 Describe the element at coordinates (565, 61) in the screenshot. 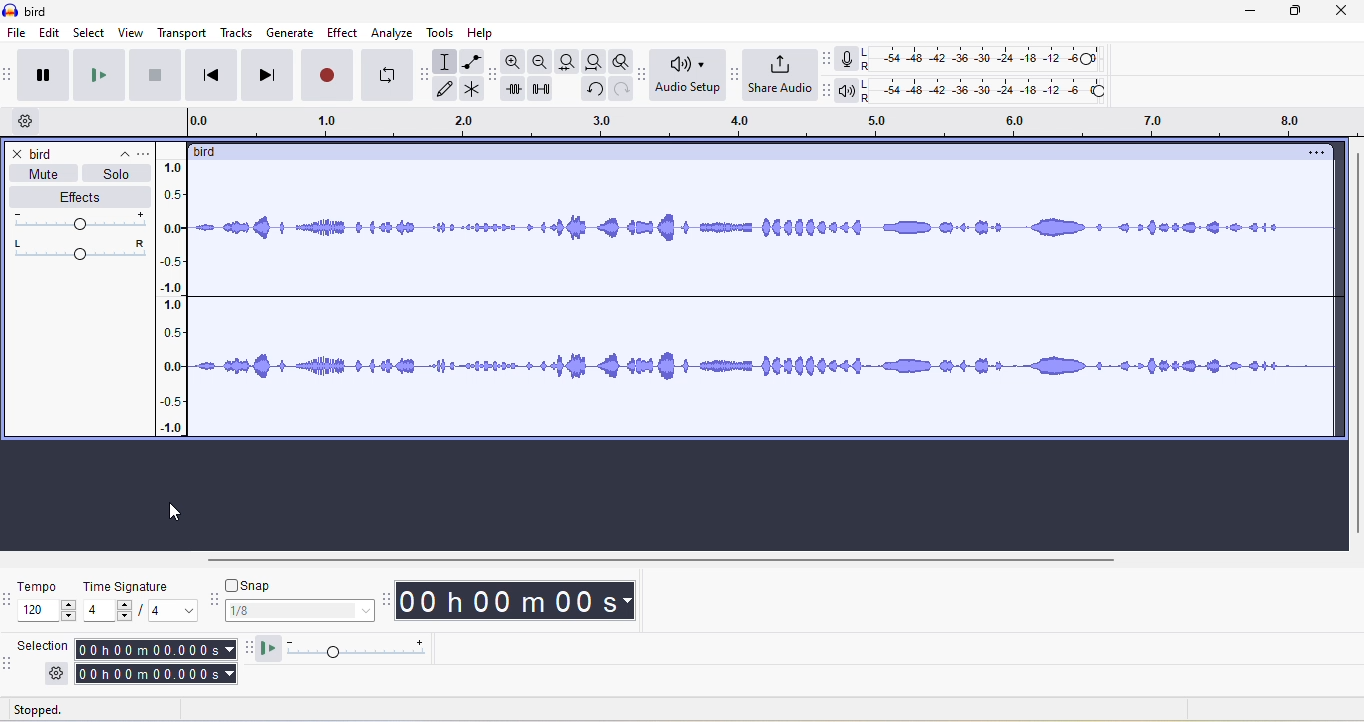

I see `fit selection to width` at that location.